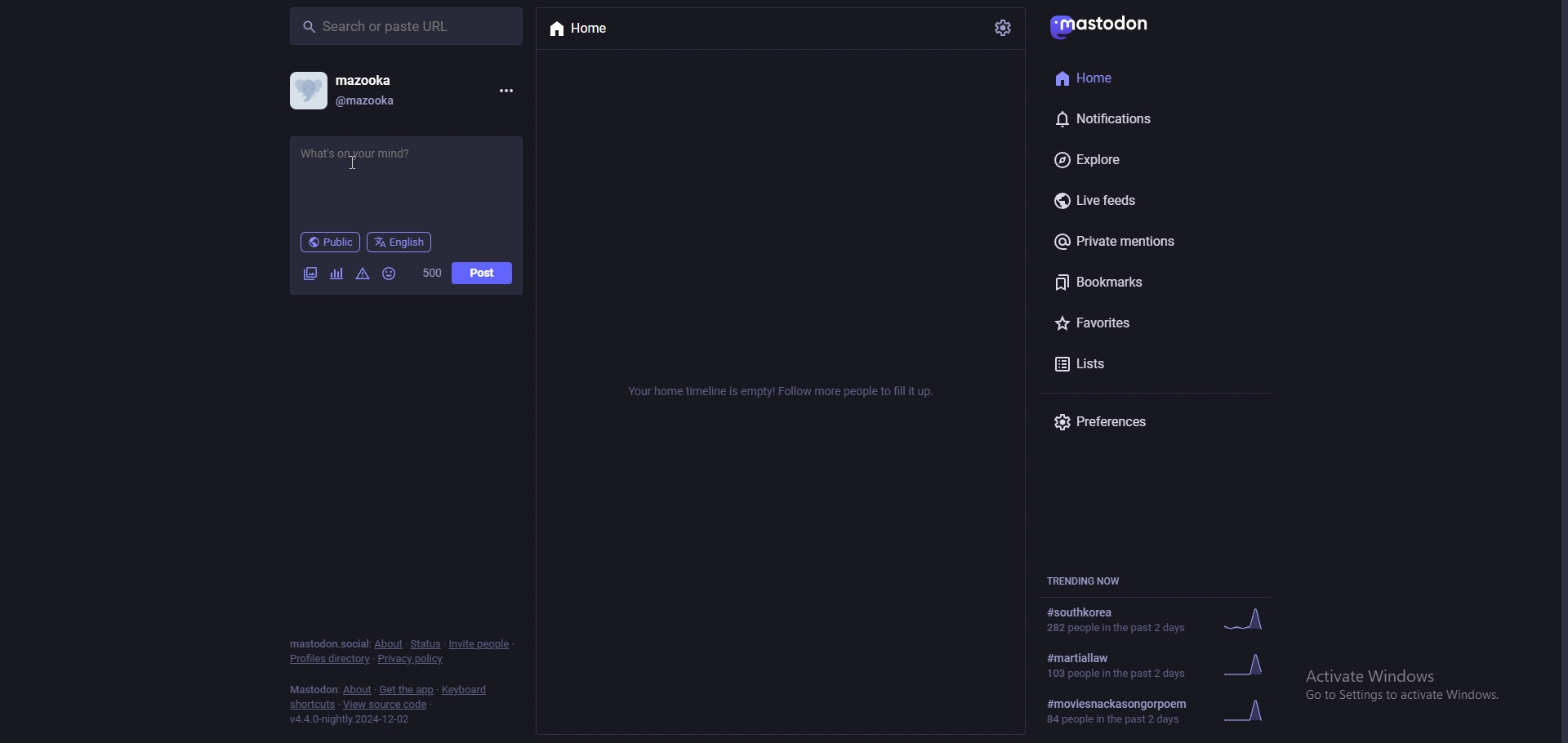 The width and height of the screenshot is (1568, 743). What do you see at coordinates (350, 720) in the screenshot?
I see `version` at bounding box center [350, 720].